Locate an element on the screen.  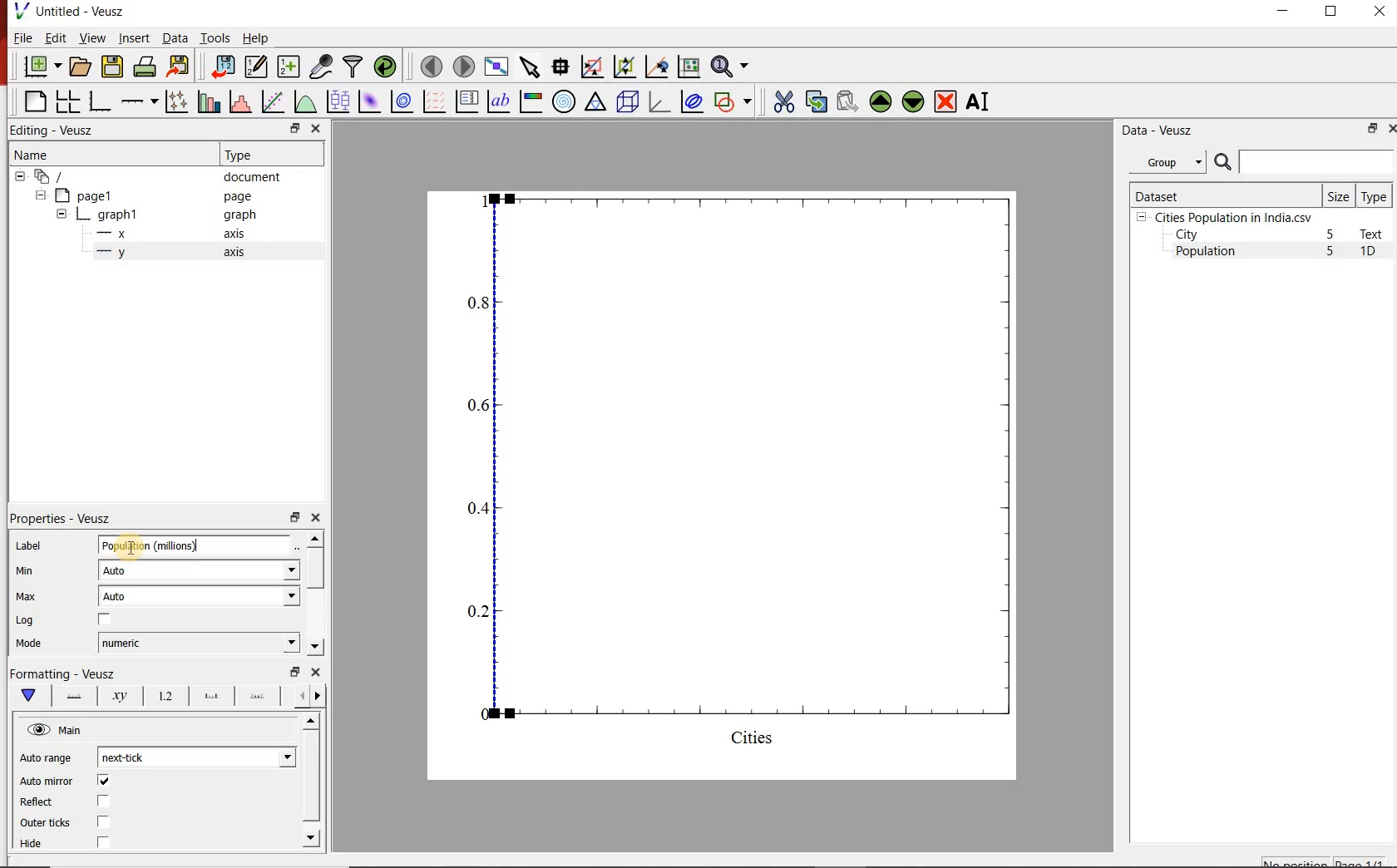
1D is located at coordinates (1375, 253).